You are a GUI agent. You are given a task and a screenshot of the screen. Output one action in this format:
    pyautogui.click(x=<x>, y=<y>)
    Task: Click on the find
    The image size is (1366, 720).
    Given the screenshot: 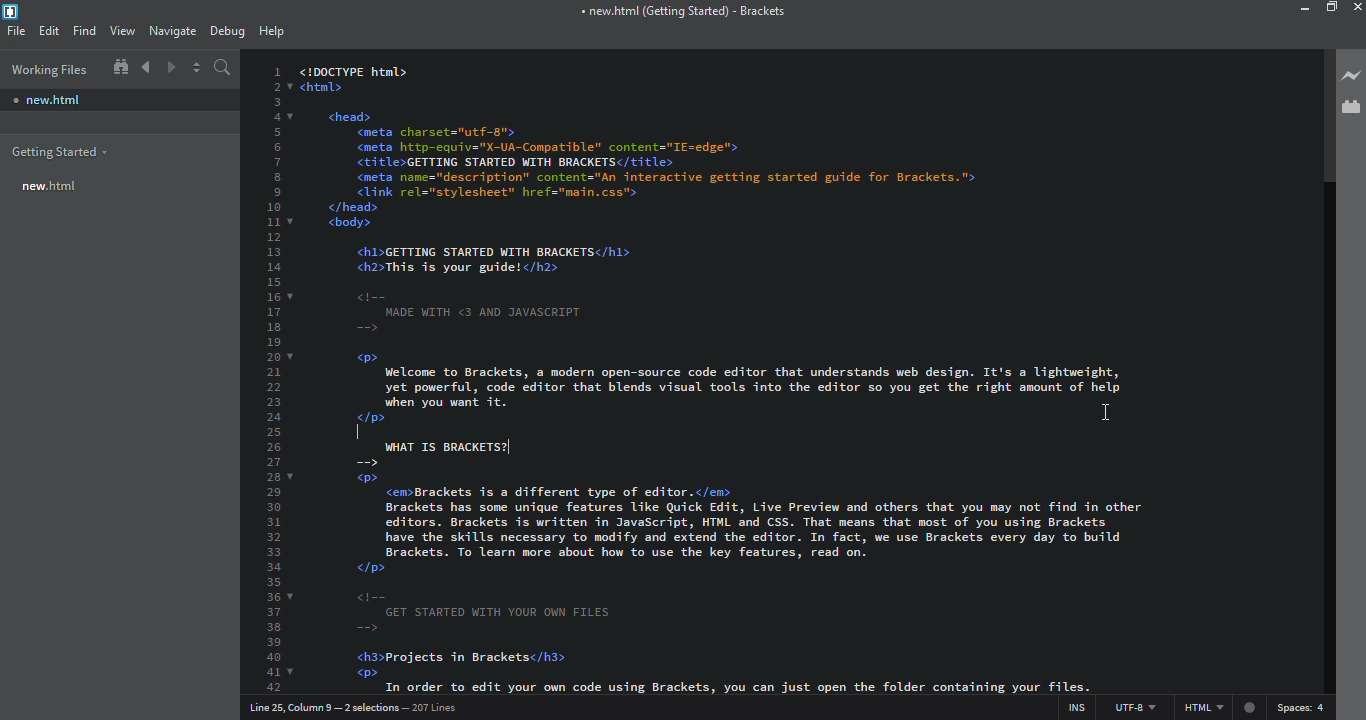 What is the action you would take?
    pyautogui.click(x=83, y=29)
    